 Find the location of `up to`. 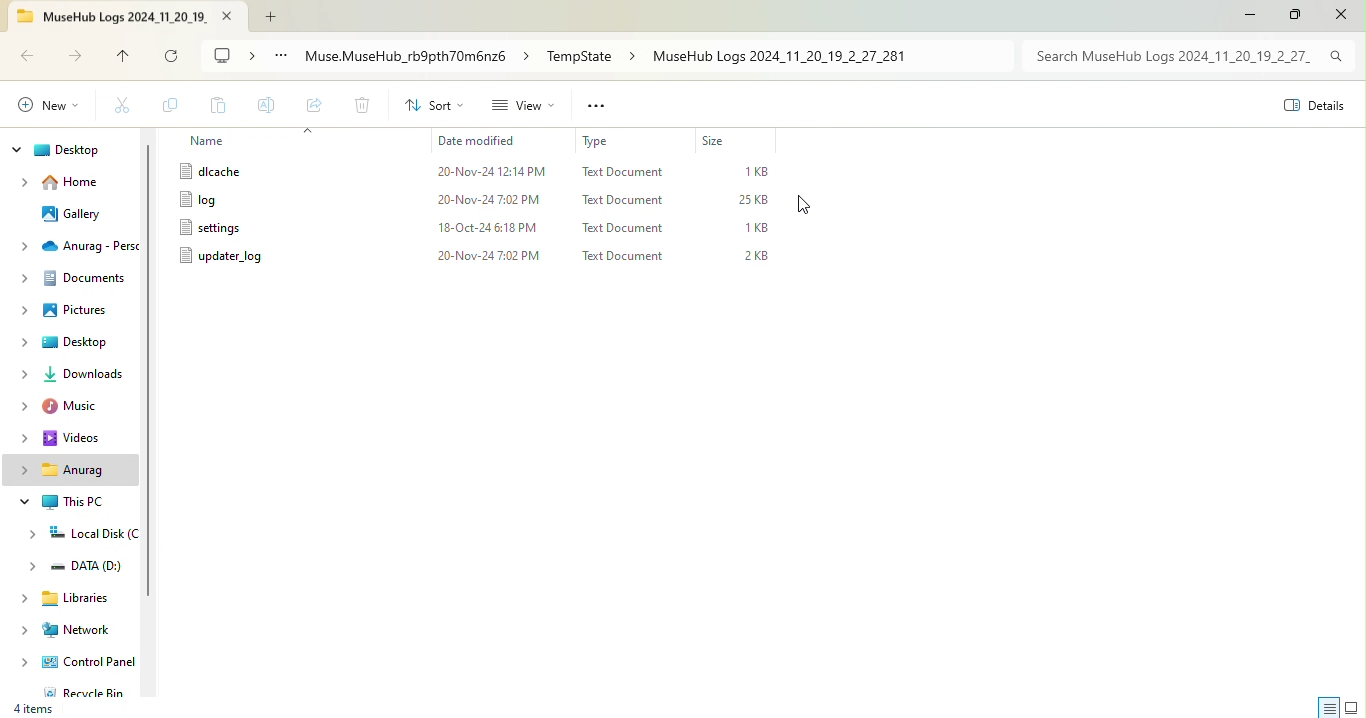

up to is located at coordinates (127, 57).